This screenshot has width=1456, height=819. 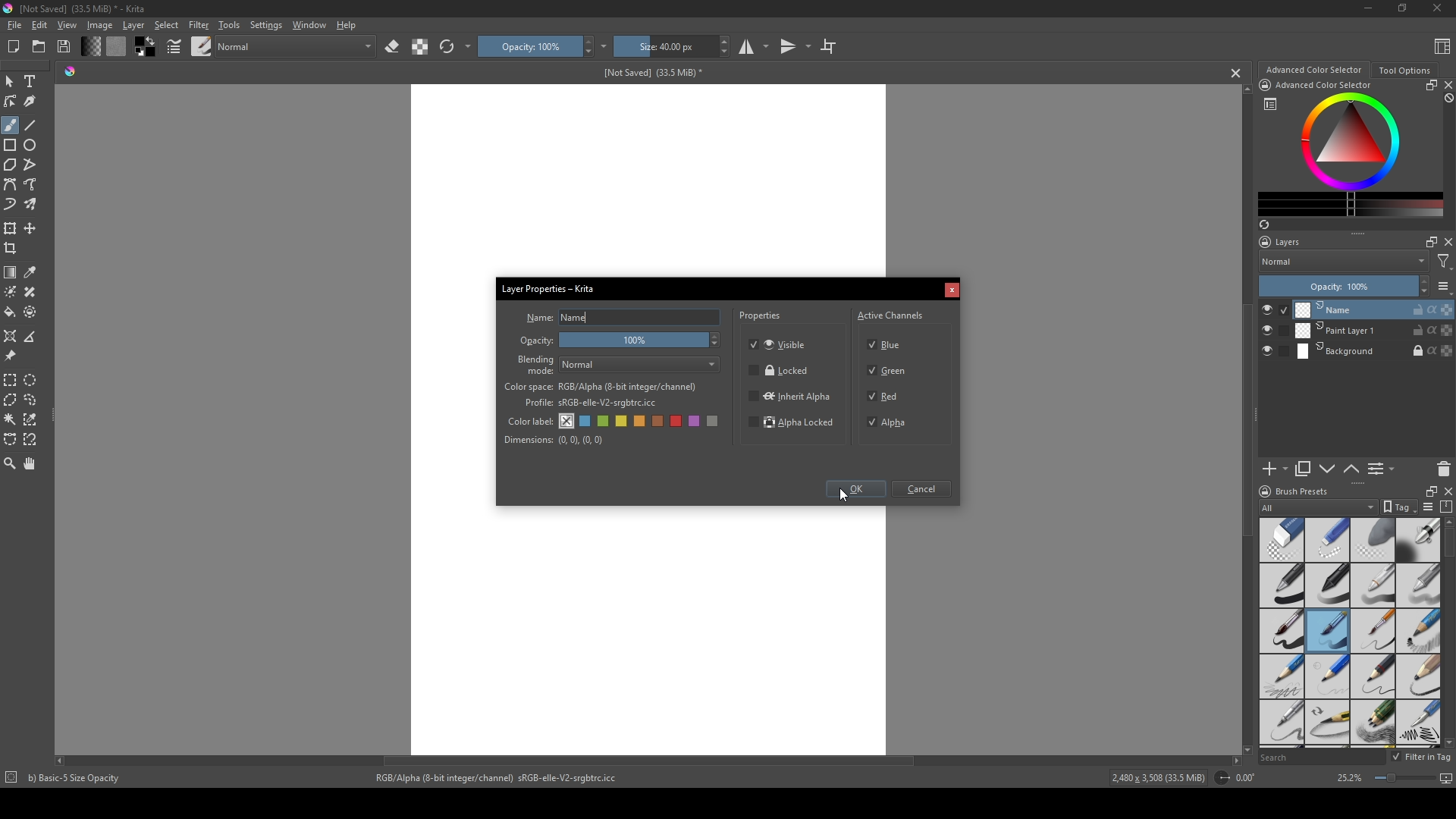 What do you see at coordinates (11, 440) in the screenshot?
I see `bezier curve` at bounding box center [11, 440].